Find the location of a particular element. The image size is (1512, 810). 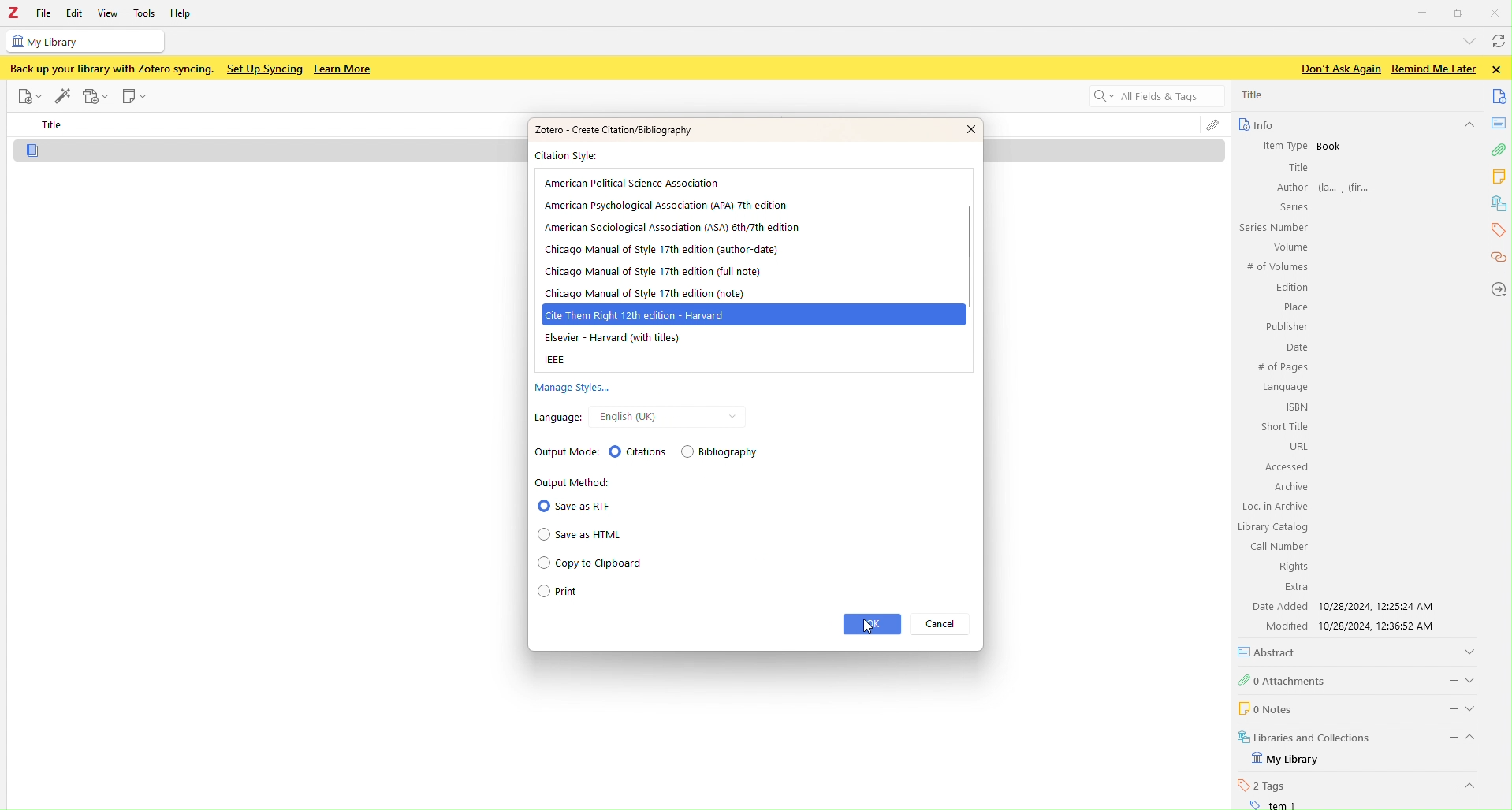

fa, fr is located at coordinates (1349, 186).